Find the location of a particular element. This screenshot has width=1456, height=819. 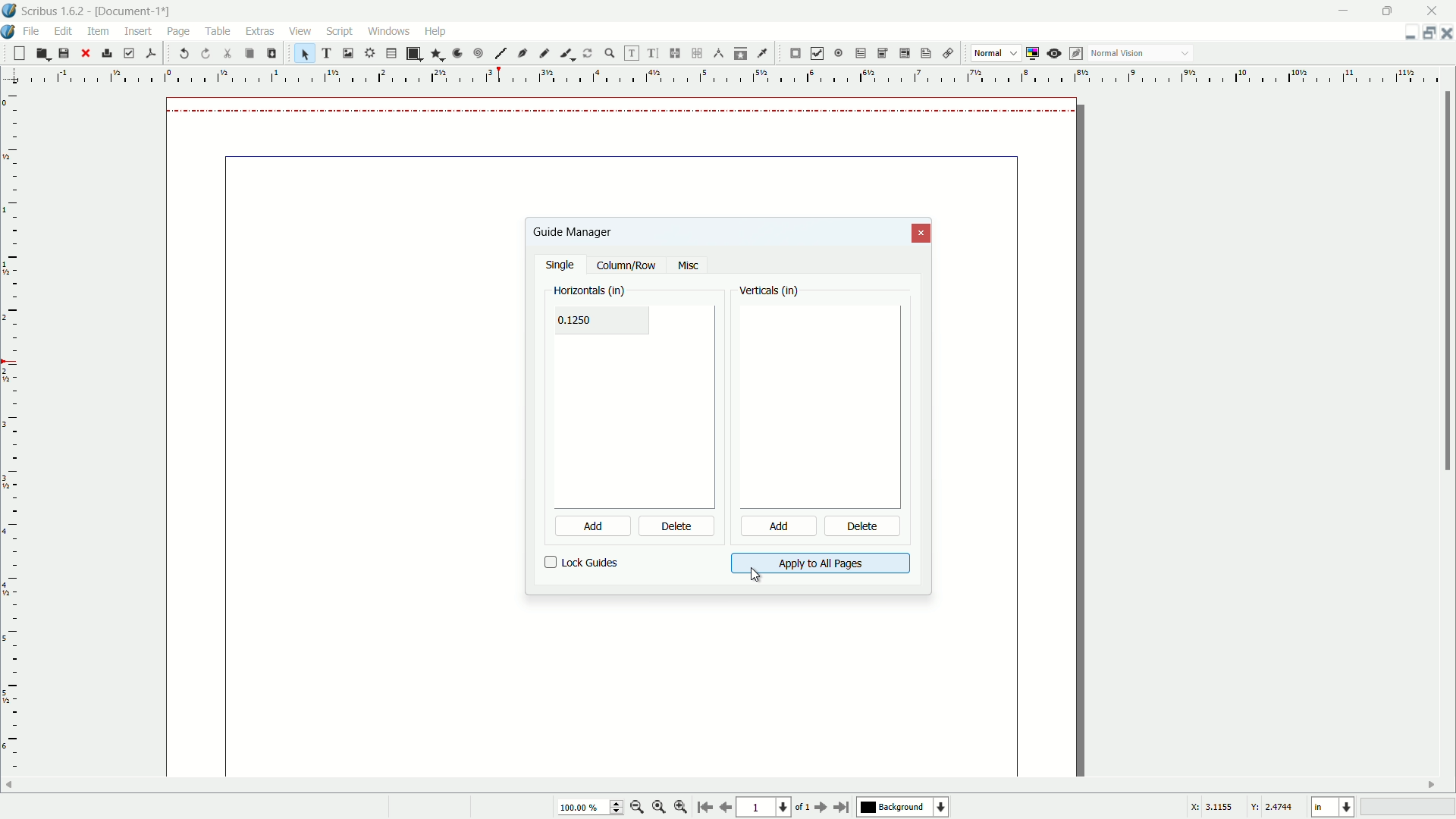

table menu is located at coordinates (218, 30).